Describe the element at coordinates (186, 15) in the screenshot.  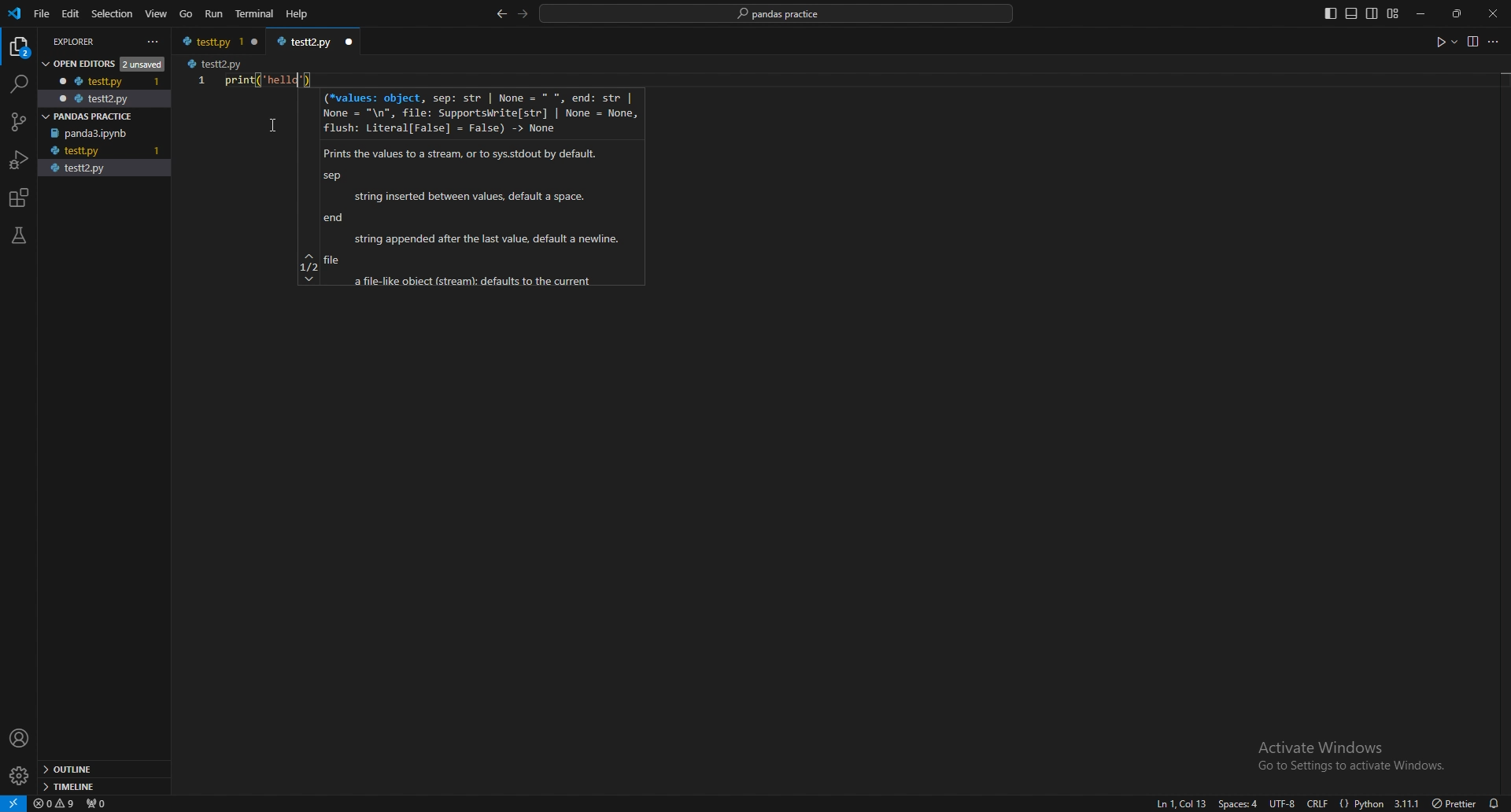
I see `go` at that location.